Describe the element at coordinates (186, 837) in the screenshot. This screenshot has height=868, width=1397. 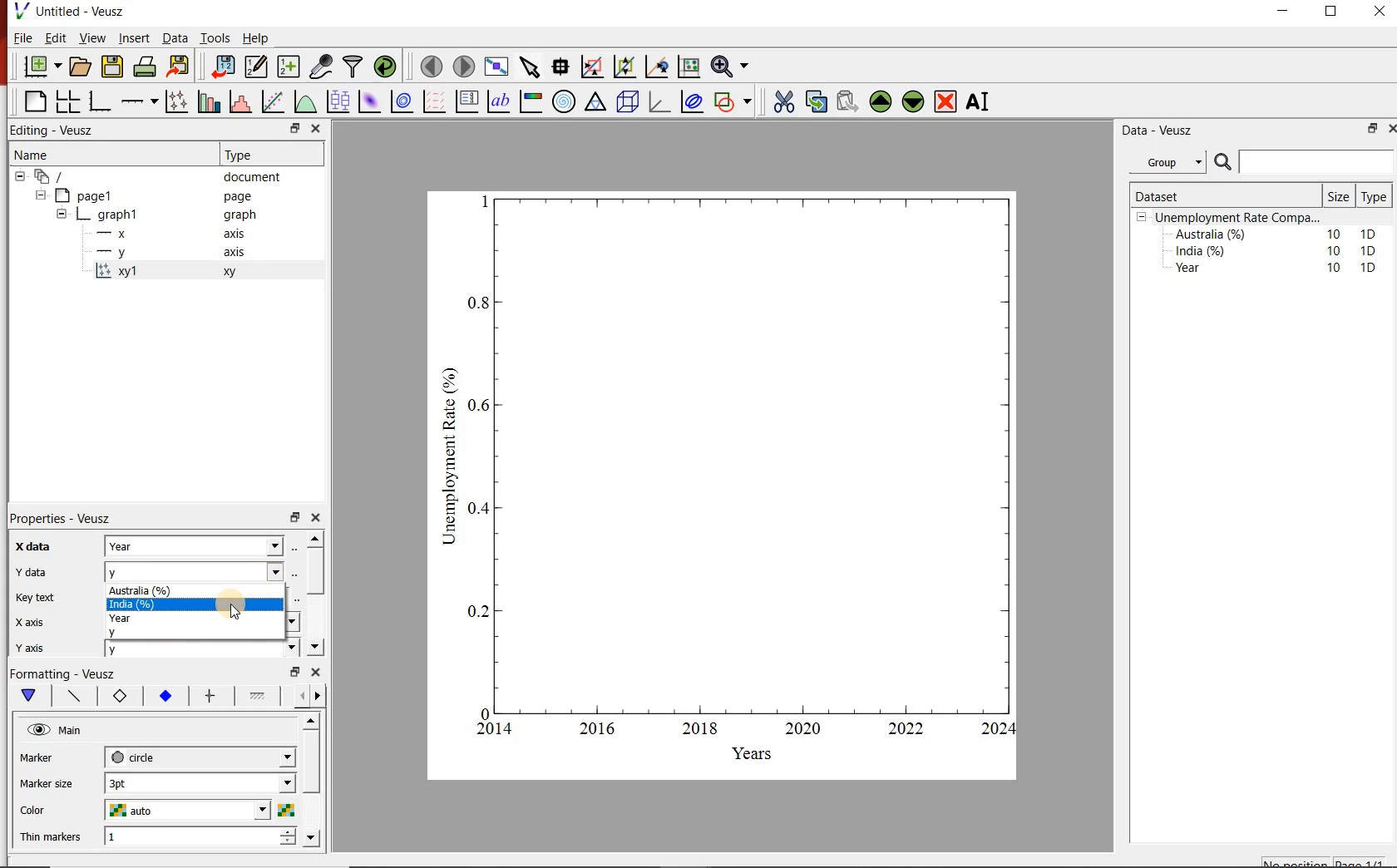
I see `1` at that location.